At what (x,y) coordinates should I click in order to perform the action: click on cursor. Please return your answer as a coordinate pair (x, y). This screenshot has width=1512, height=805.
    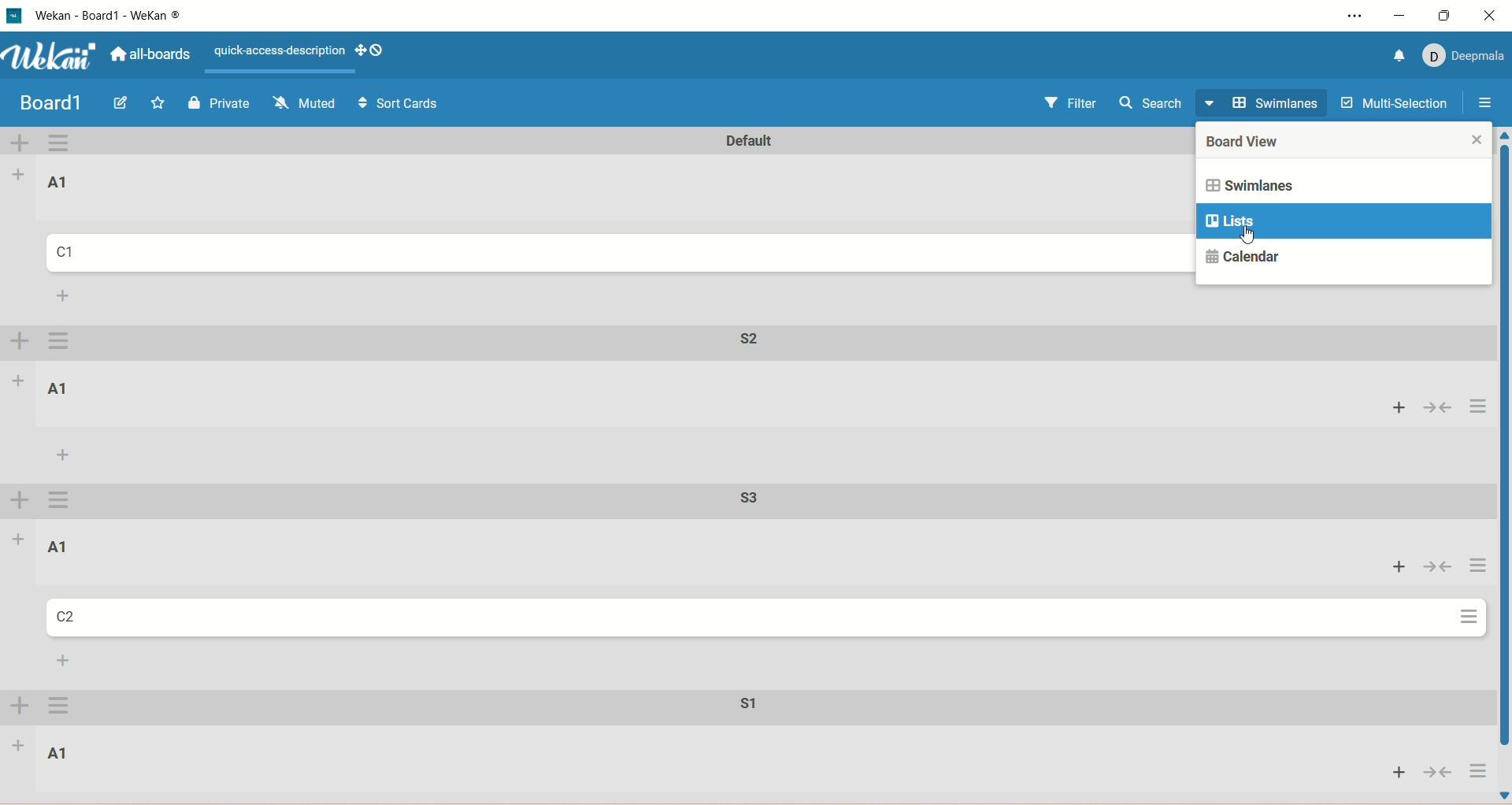
    Looking at the image, I should click on (1258, 238).